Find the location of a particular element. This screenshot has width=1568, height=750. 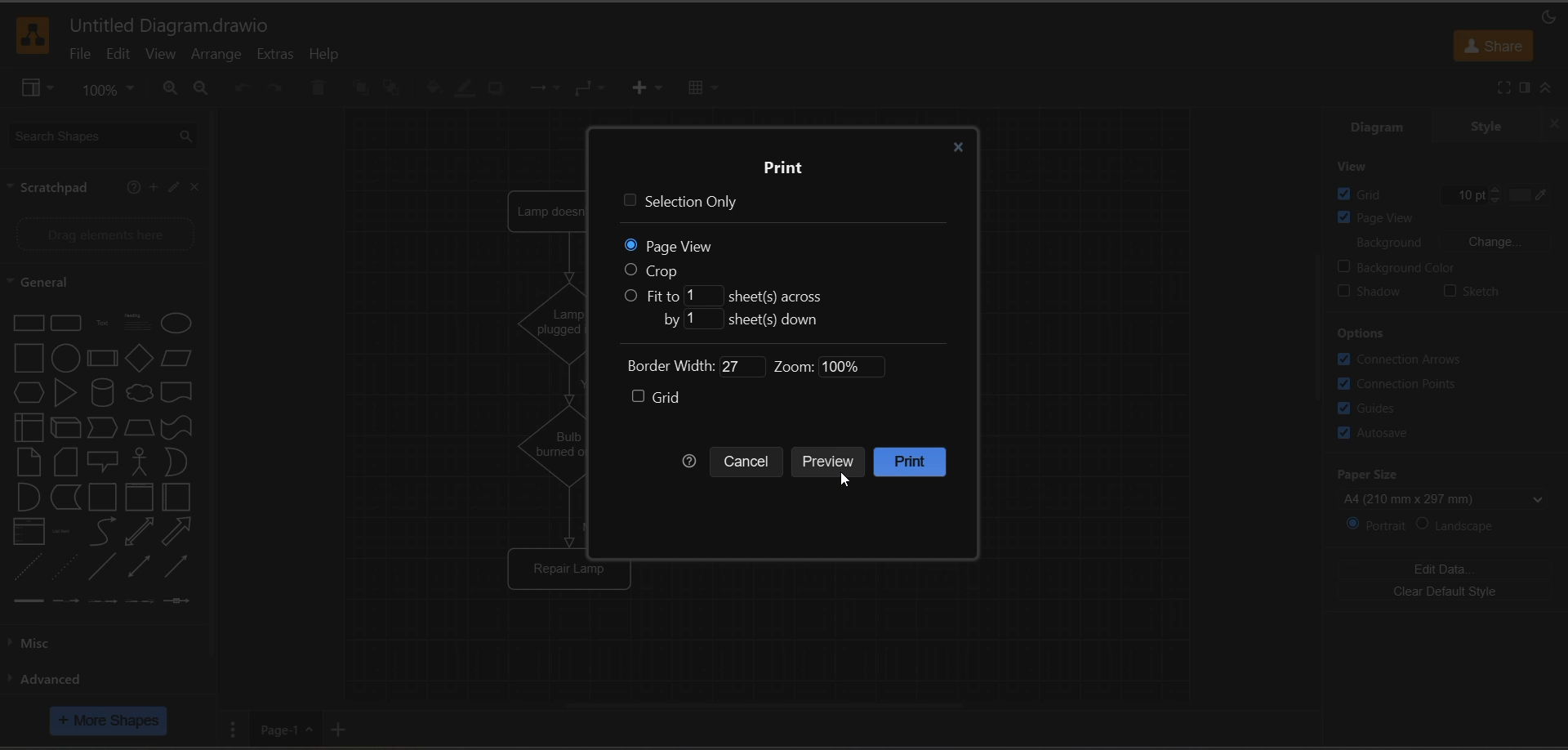

shapes is located at coordinates (100, 462).